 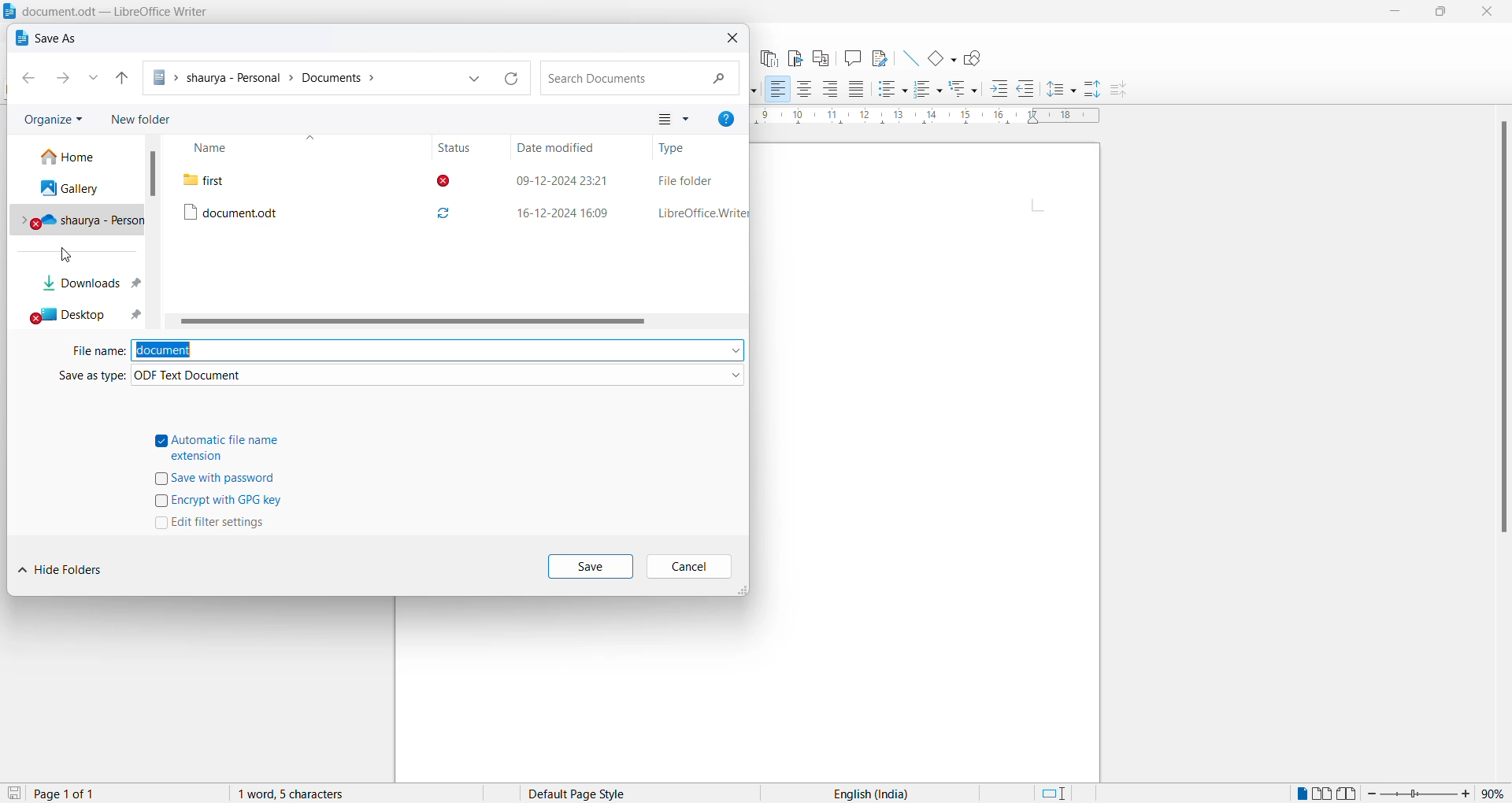 I want to click on hide folders button, so click(x=67, y=575).